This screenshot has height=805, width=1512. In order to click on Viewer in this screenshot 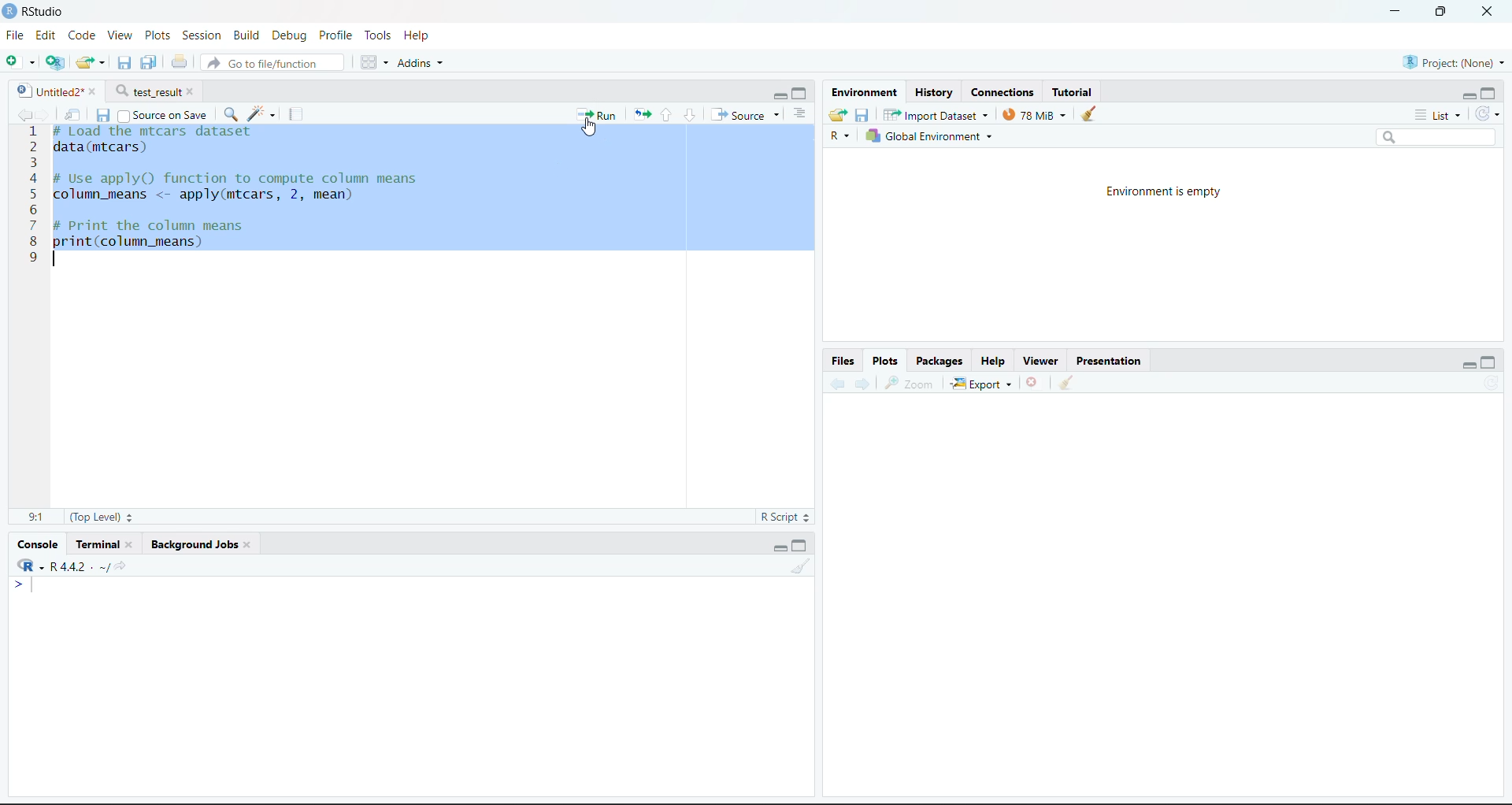, I will do `click(1039, 357)`.